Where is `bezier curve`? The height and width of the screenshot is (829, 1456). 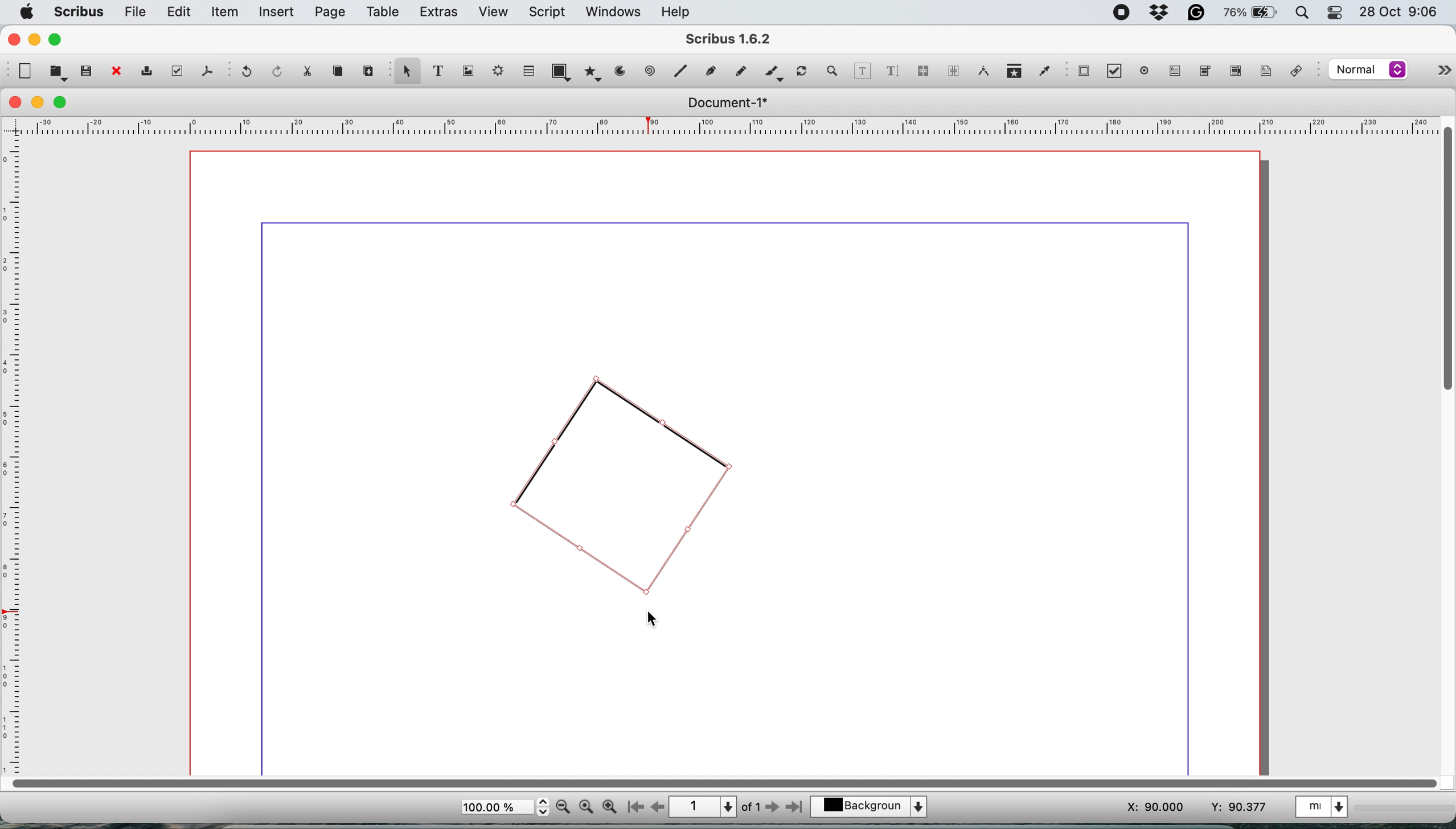 bezier curve is located at coordinates (712, 69).